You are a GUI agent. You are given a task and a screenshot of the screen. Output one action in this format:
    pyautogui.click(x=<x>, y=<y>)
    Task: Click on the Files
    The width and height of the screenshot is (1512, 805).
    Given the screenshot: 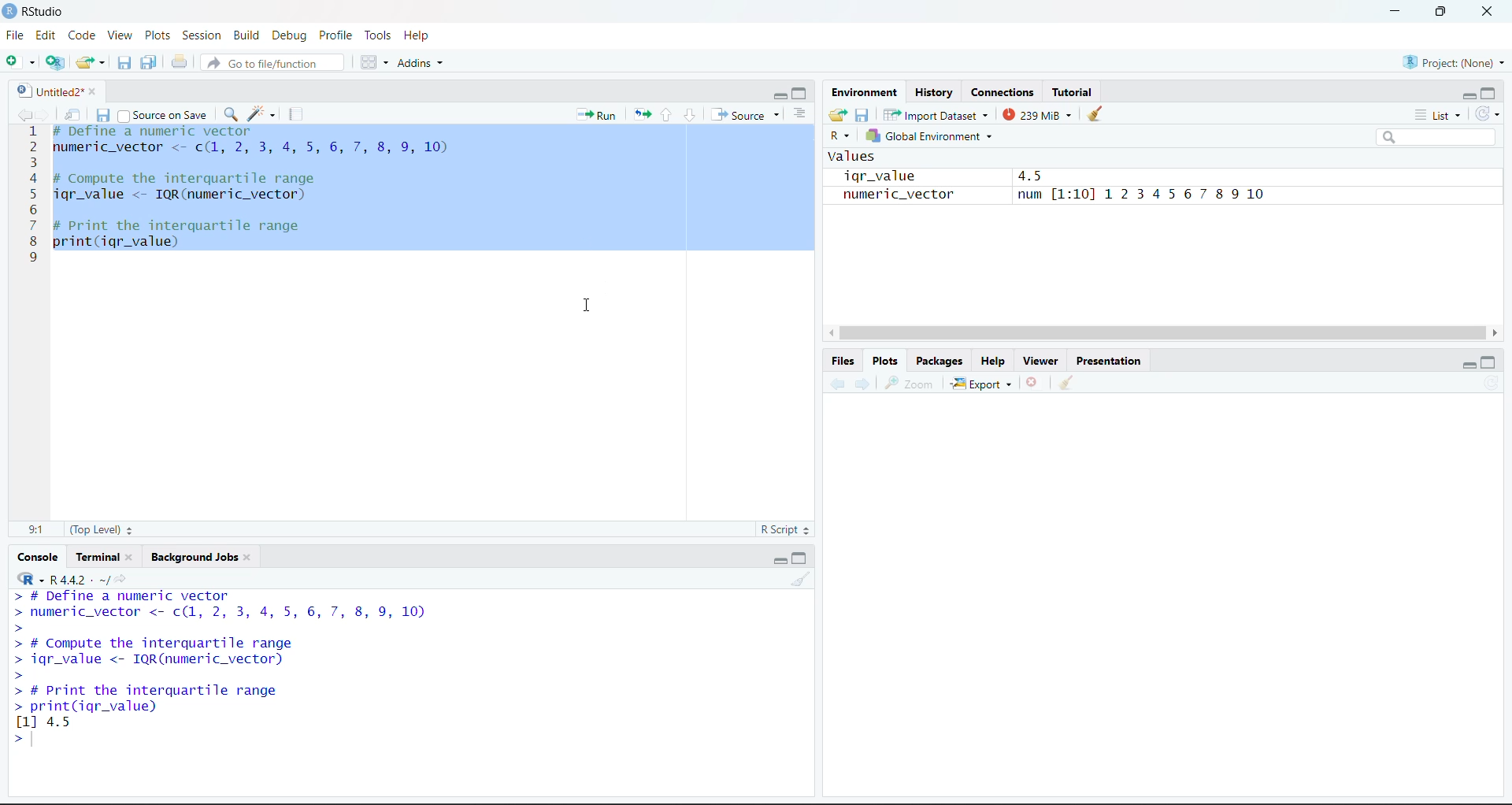 What is the action you would take?
    pyautogui.click(x=843, y=359)
    